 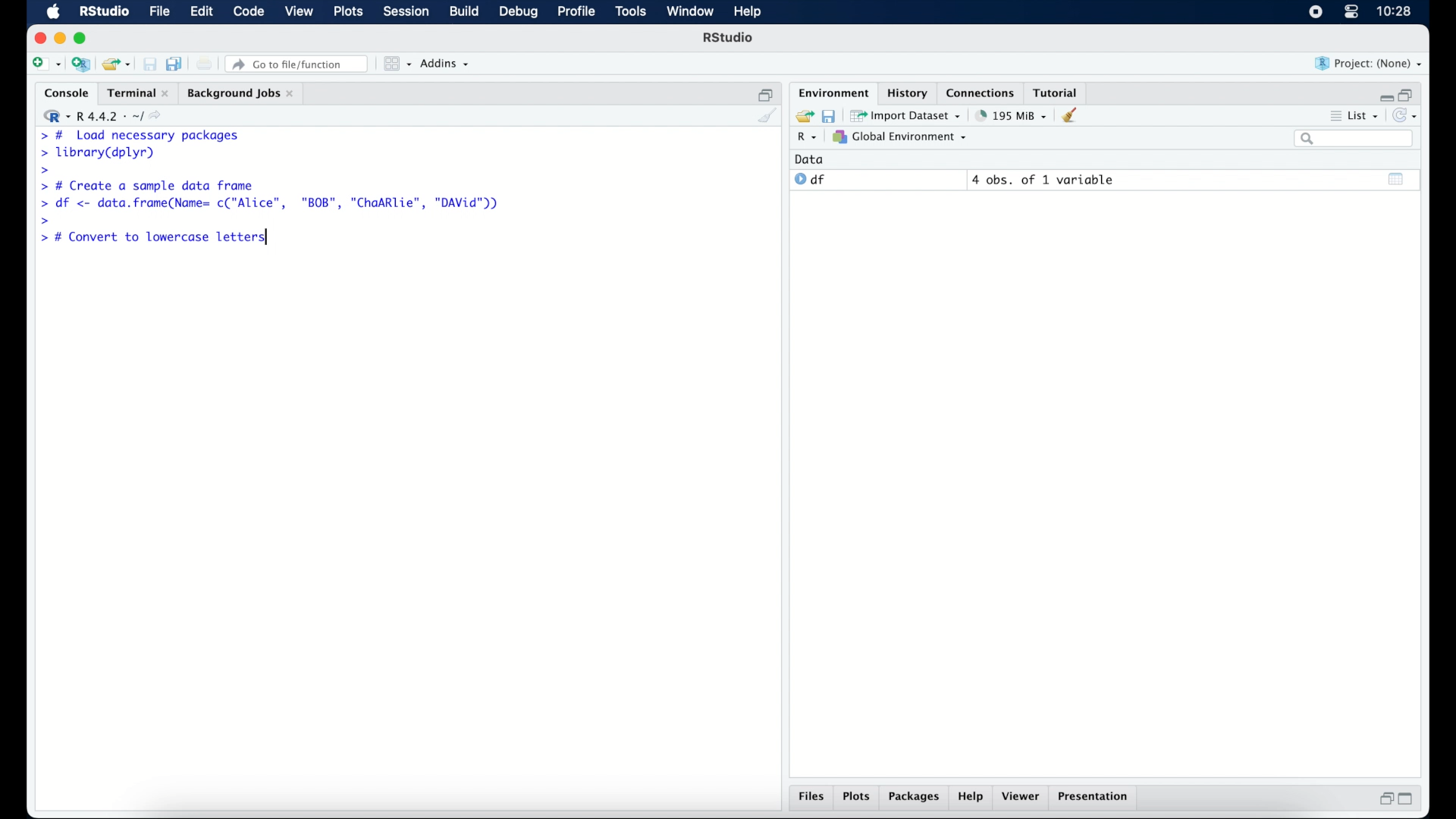 What do you see at coordinates (1394, 11) in the screenshot?
I see `10.27` at bounding box center [1394, 11].